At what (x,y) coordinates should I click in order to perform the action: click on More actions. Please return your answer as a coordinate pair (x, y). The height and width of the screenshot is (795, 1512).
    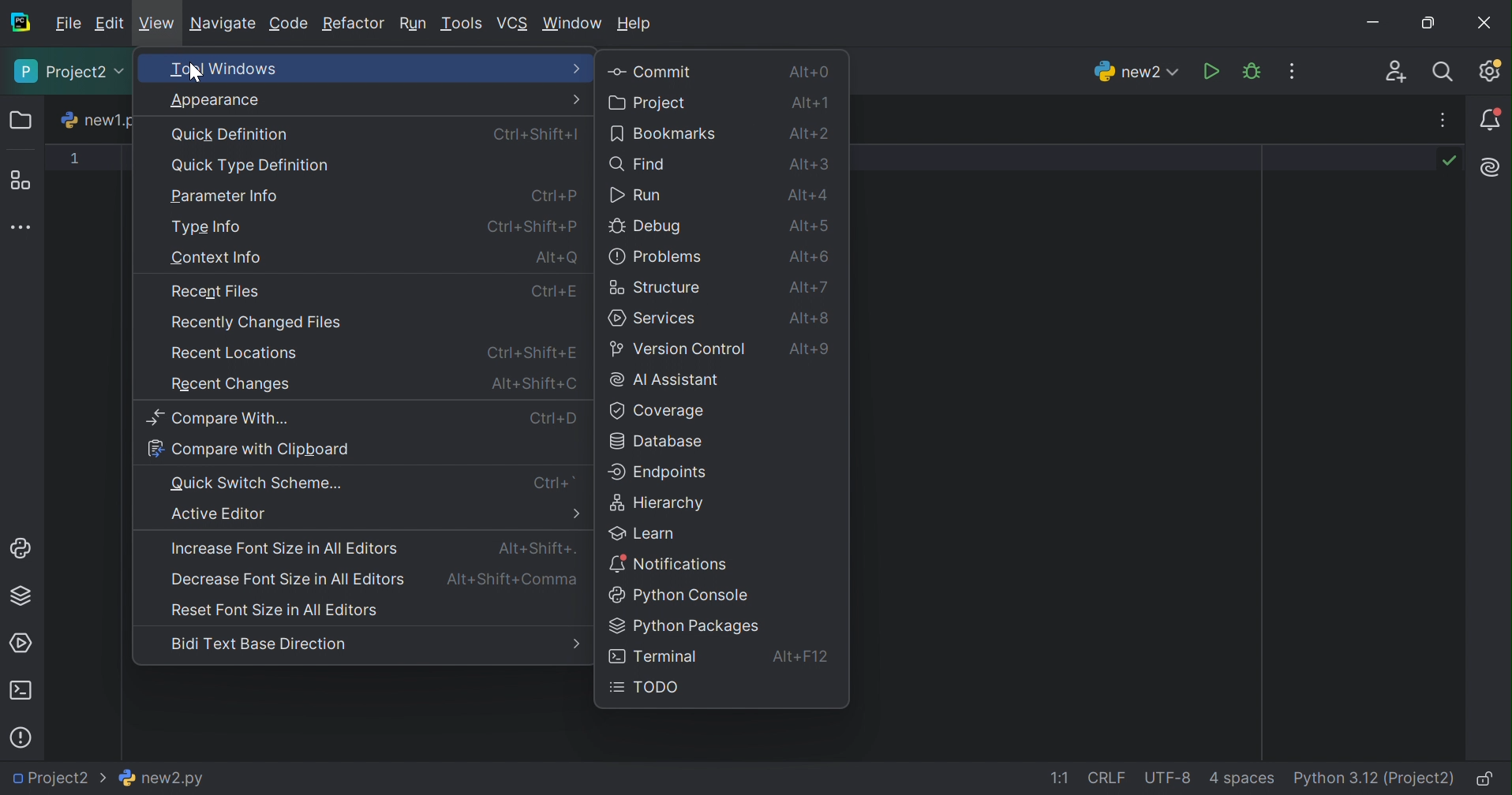
    Looking at the image, I should click on (1286, 72).